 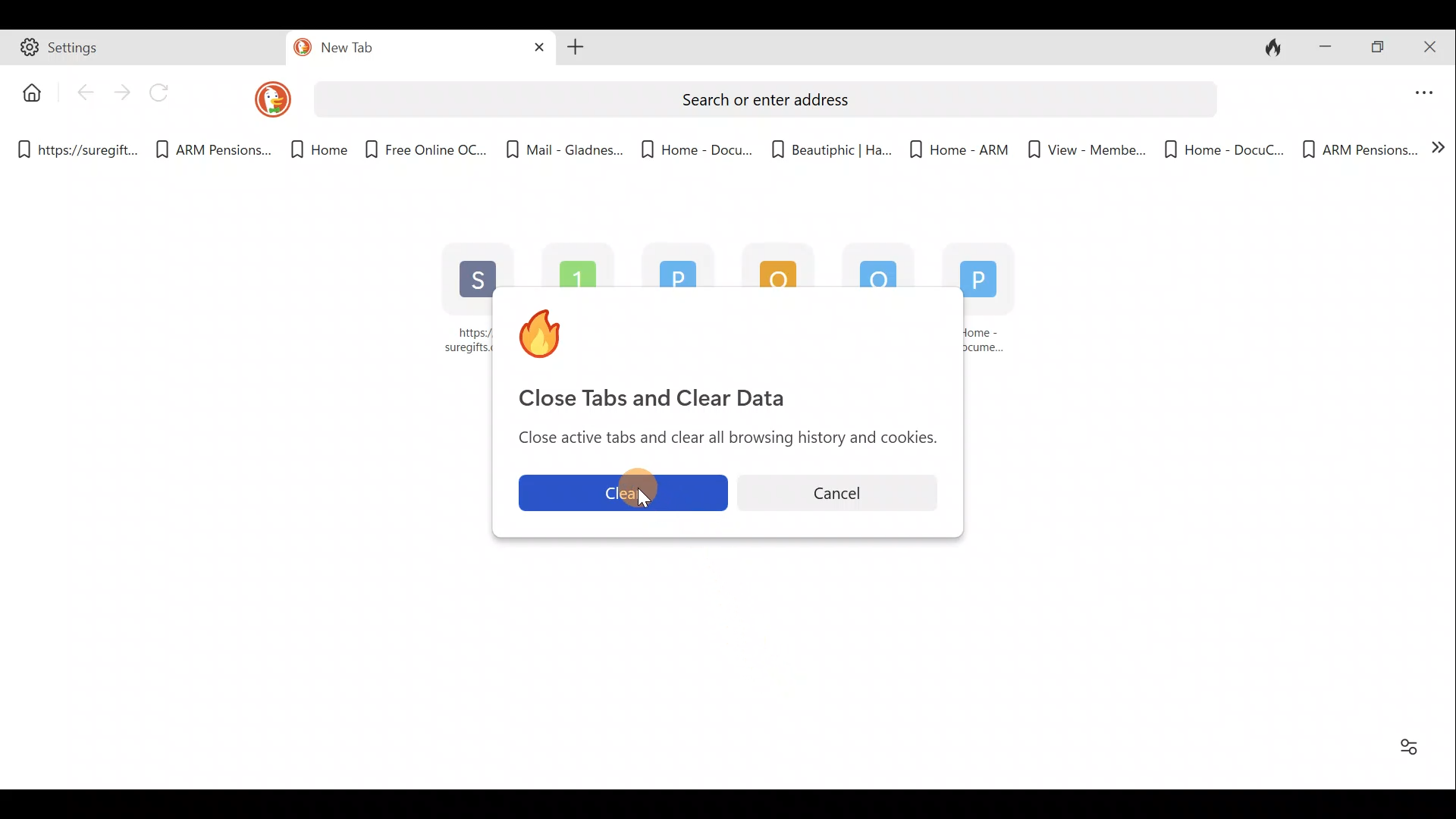 What do you see at coordinates (425, 144) in the screenshot?
I see `Free Online OC...` at bounding box center [425, 144].